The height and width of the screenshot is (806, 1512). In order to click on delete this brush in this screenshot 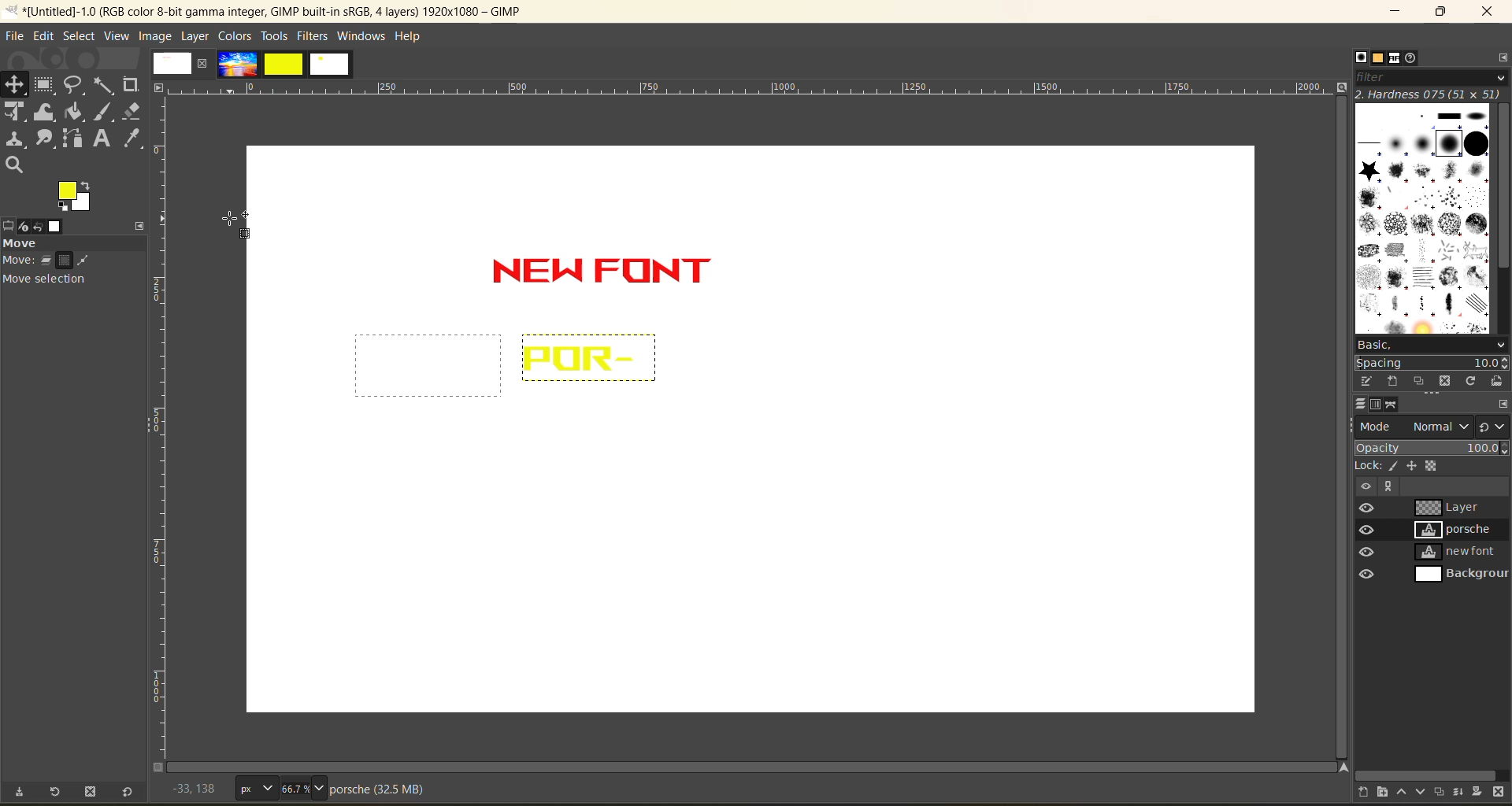, I will do `click(1439, 383)`.